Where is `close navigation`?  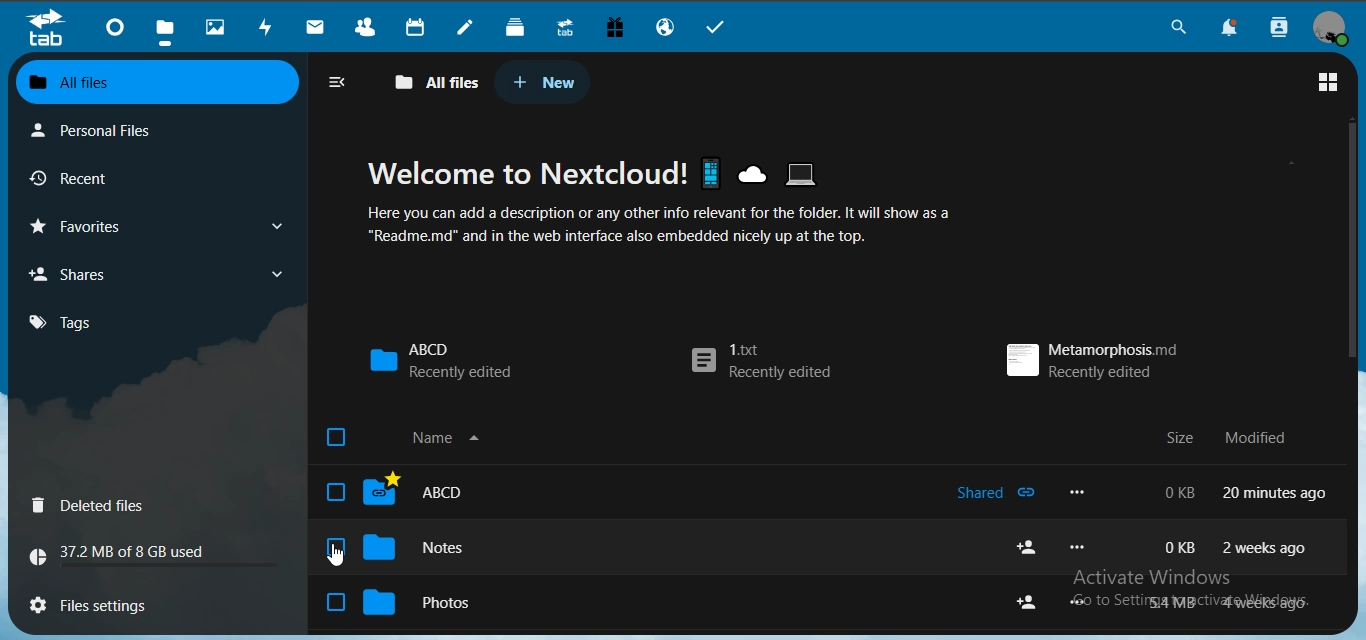 close navigation is located at coordinates (338, 81).